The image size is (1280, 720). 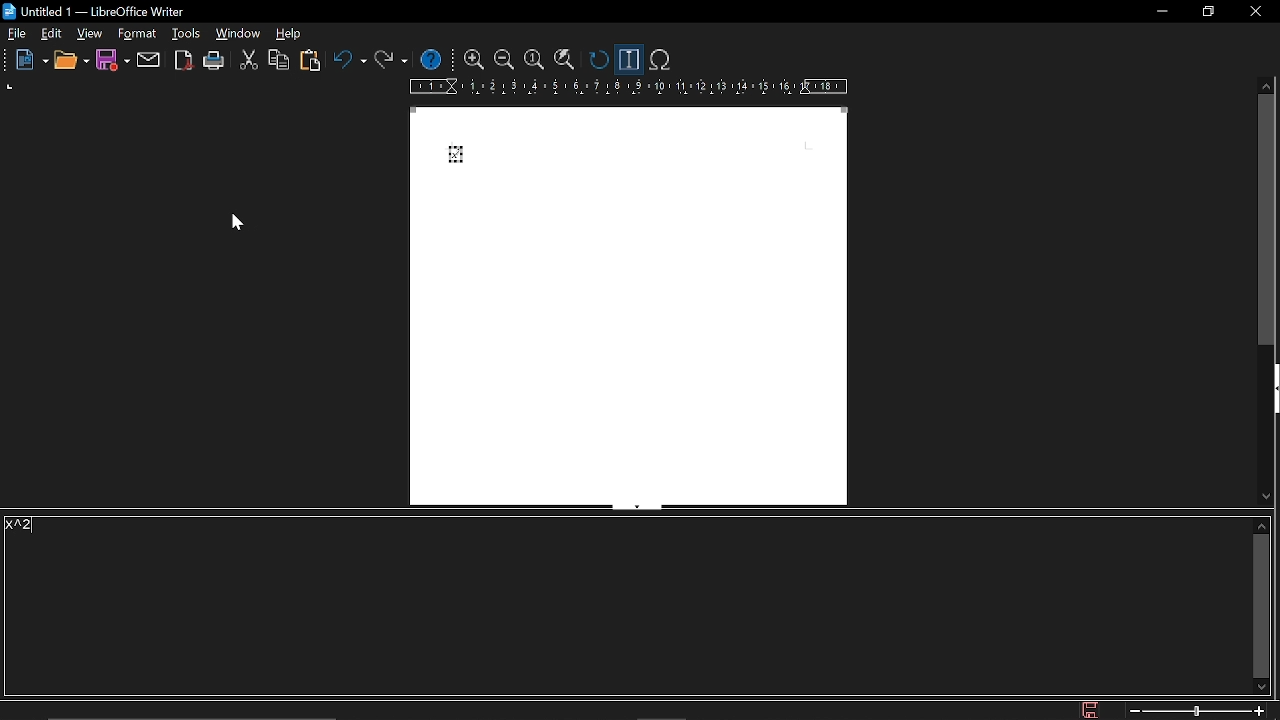 What do you see at coordinates (1268, 222) in the screenshot?
I see `vertical scrollbar` at bounding box center [1268, 222].